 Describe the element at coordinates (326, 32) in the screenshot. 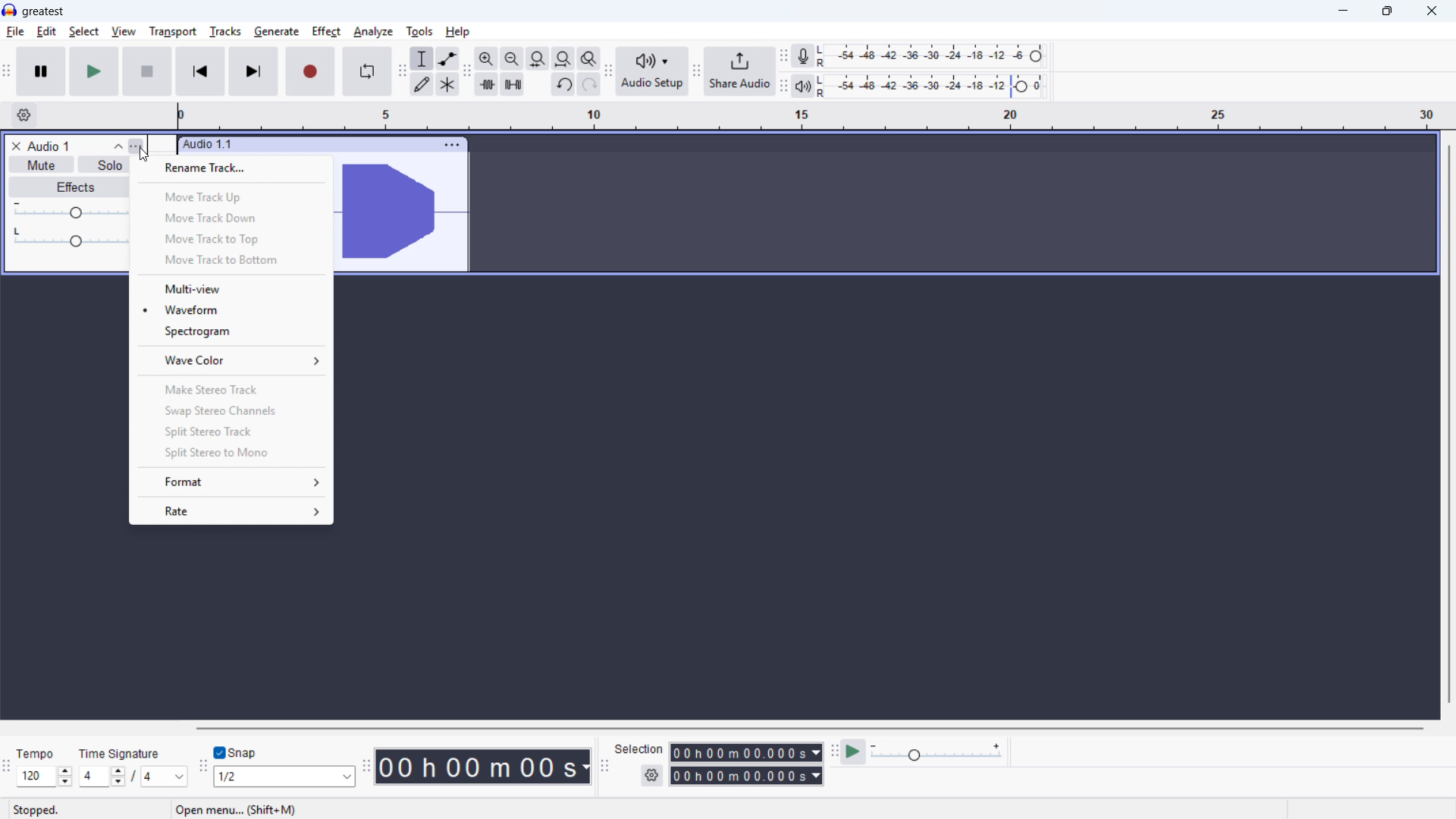

I see `Effect ` at that location.